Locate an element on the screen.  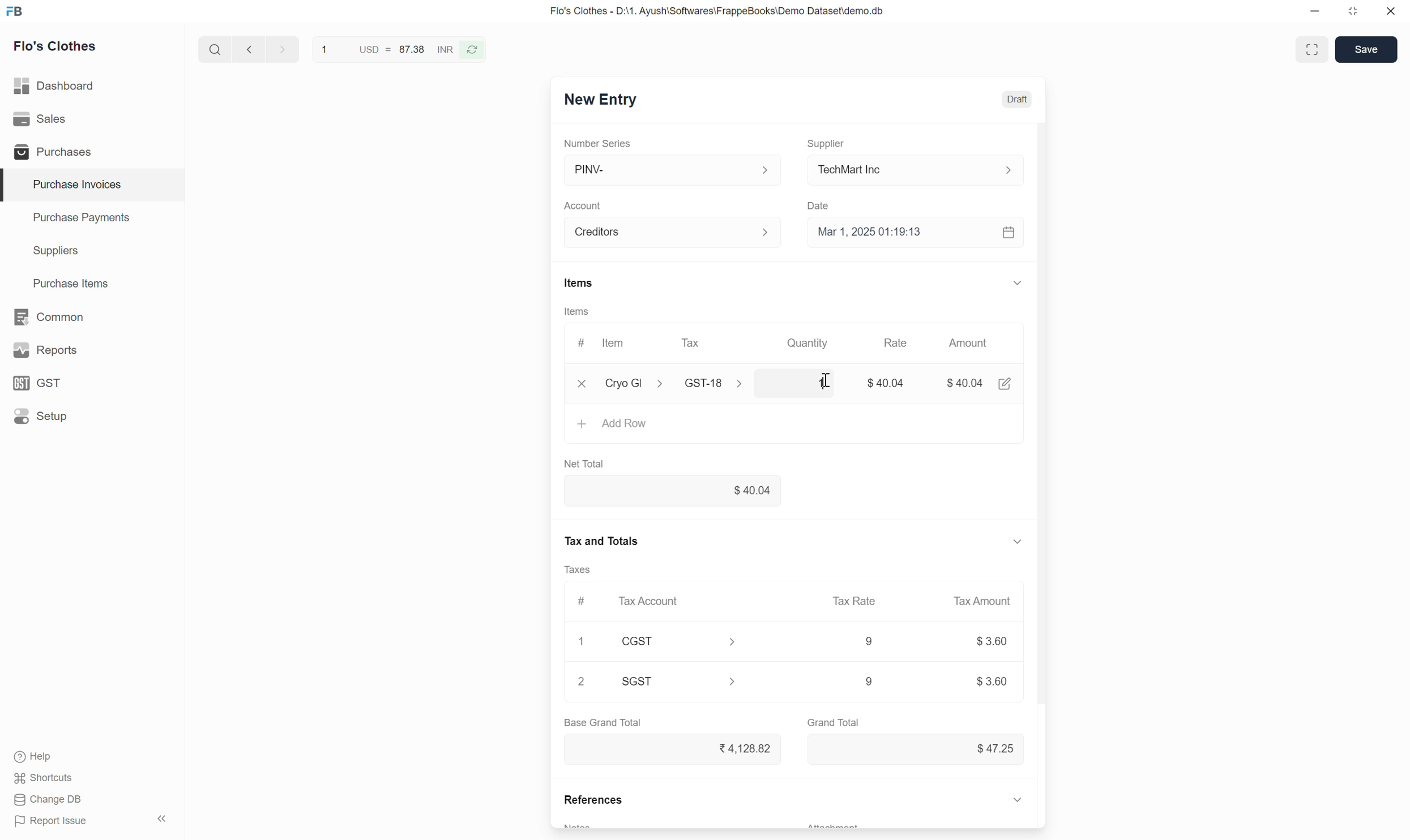
 CGST > is located at coordinates (683, 643).